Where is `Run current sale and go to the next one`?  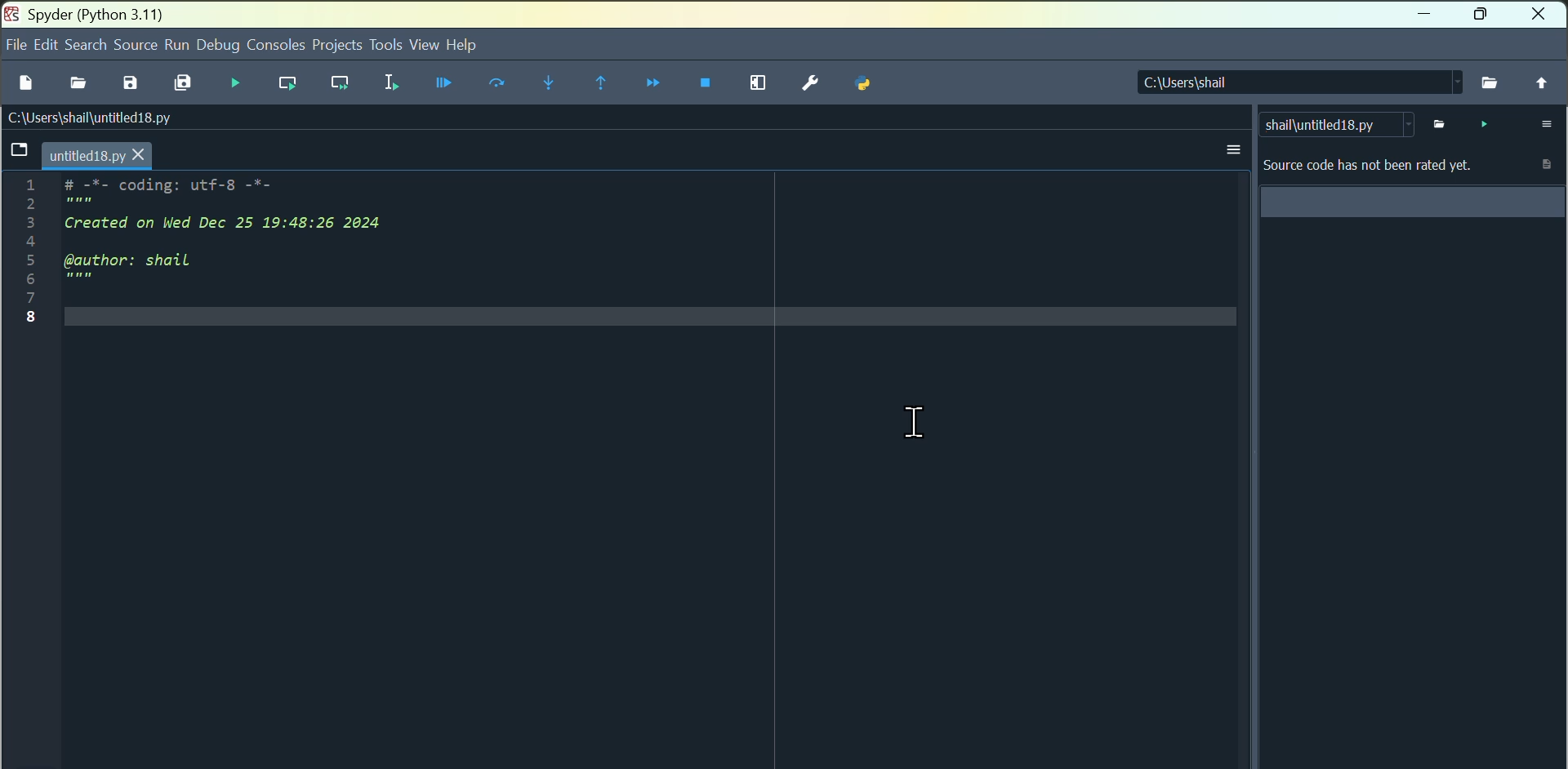
Run current sale and go to the next one is located at coordinates (341, 87).